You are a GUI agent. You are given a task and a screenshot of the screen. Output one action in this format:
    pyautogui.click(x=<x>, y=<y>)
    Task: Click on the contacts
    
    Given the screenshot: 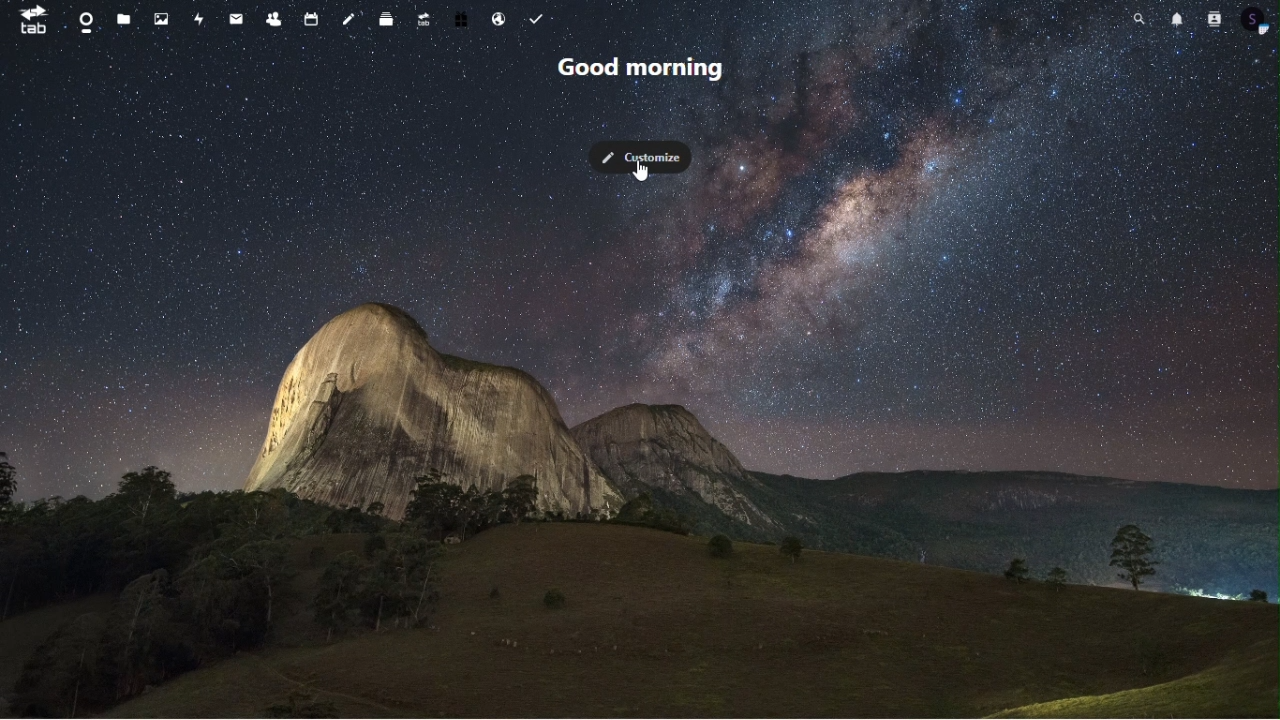 What is the action you would take?
    pyautogui.click(x=273, y=18)
    